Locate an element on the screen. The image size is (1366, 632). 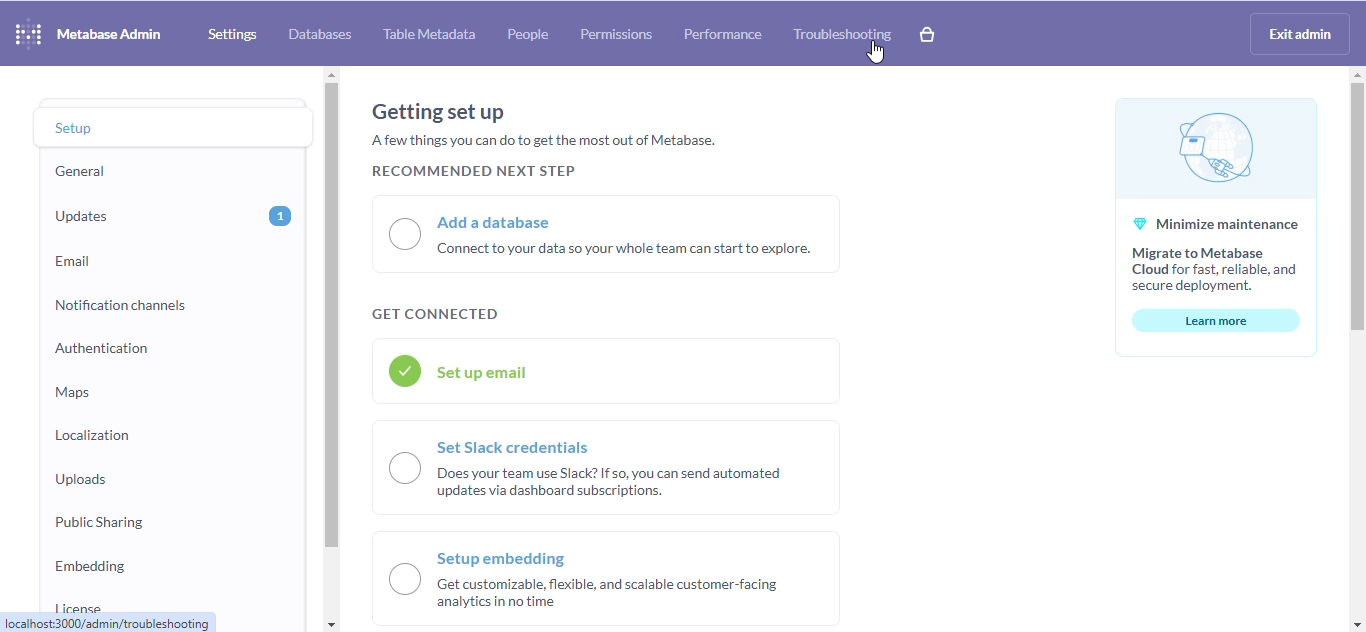
troubleshooting is located at coordinates (843, 35).